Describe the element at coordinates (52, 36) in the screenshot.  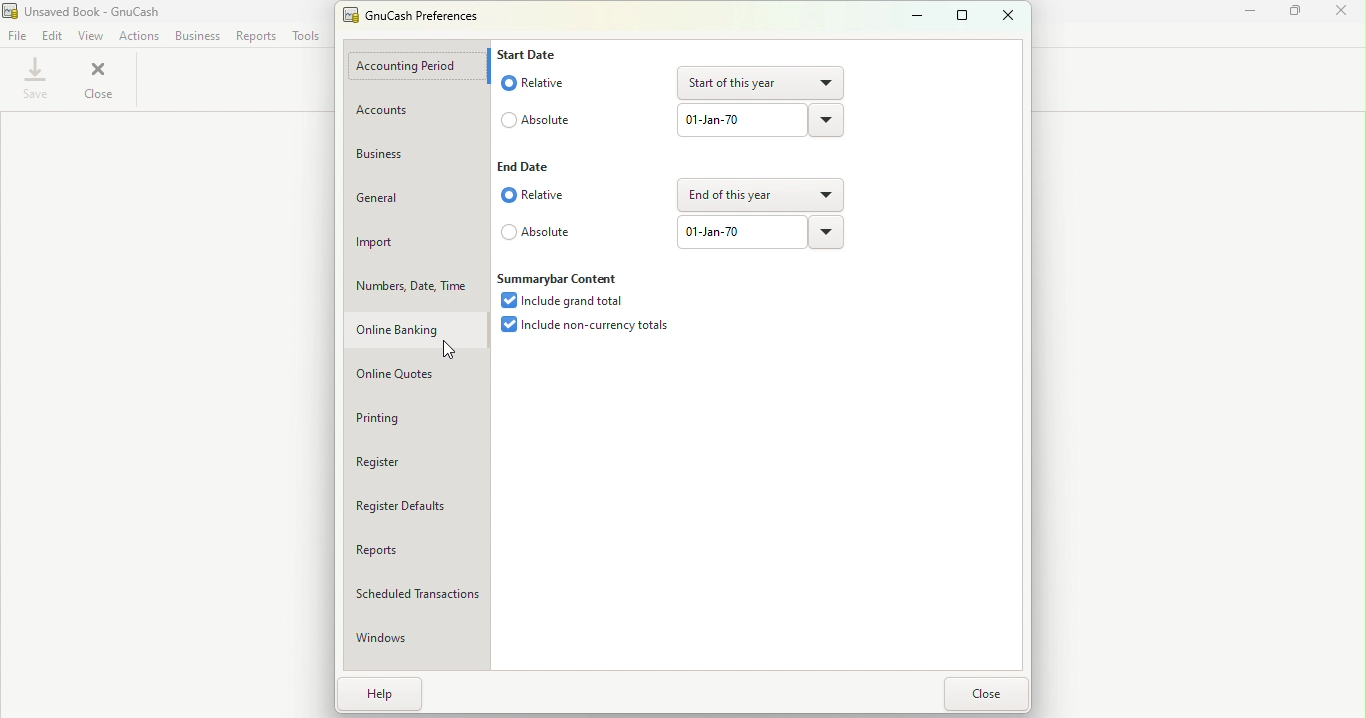
I see `Edit` at that location.